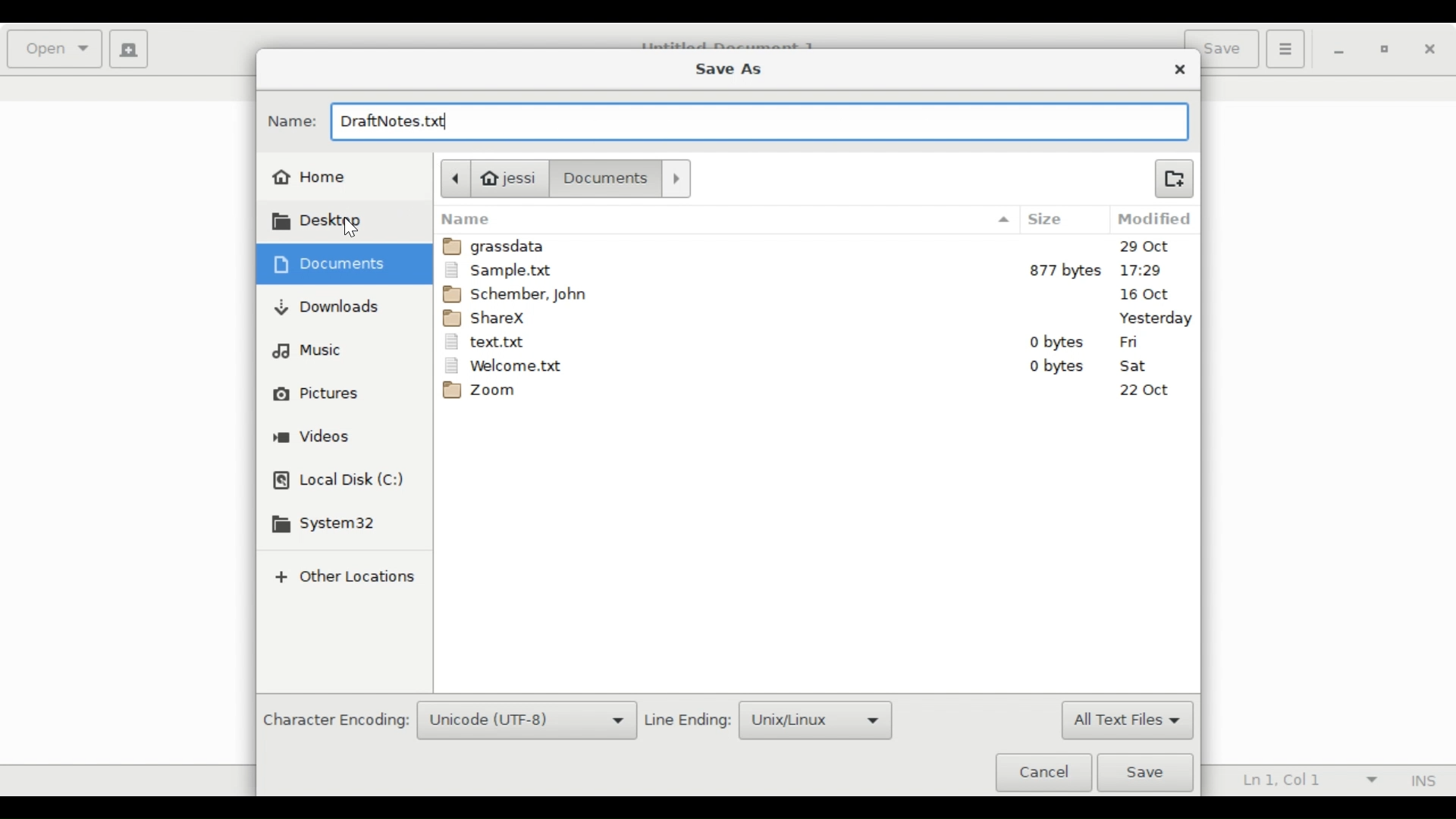 The image size is (1456, 819). What do you see at coordinates (328, 525) in the screenshot?
I see `System32` at bounding box center [328, 525].